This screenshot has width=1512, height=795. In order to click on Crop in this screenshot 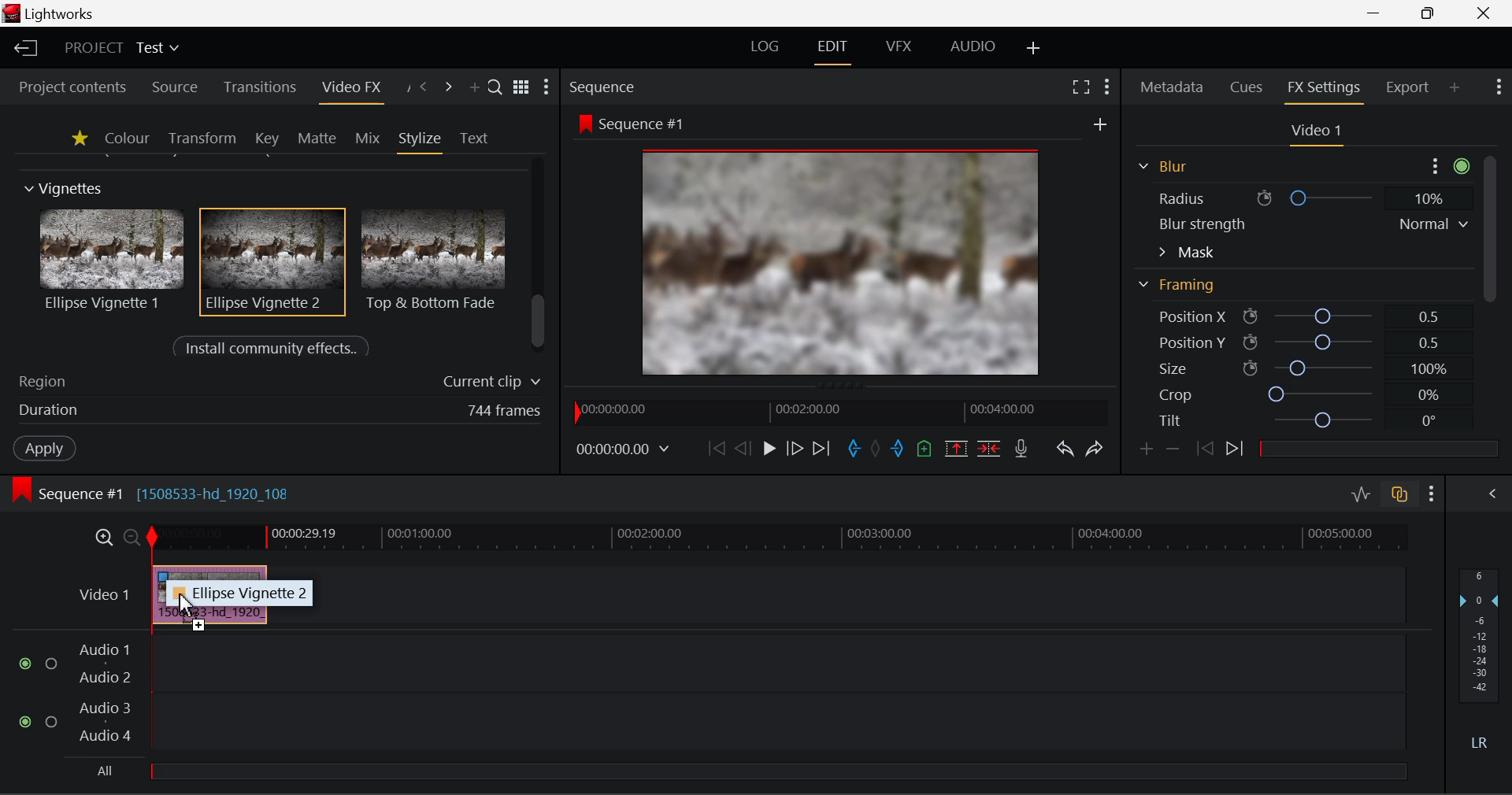, I will do `click(1298, 395)`.